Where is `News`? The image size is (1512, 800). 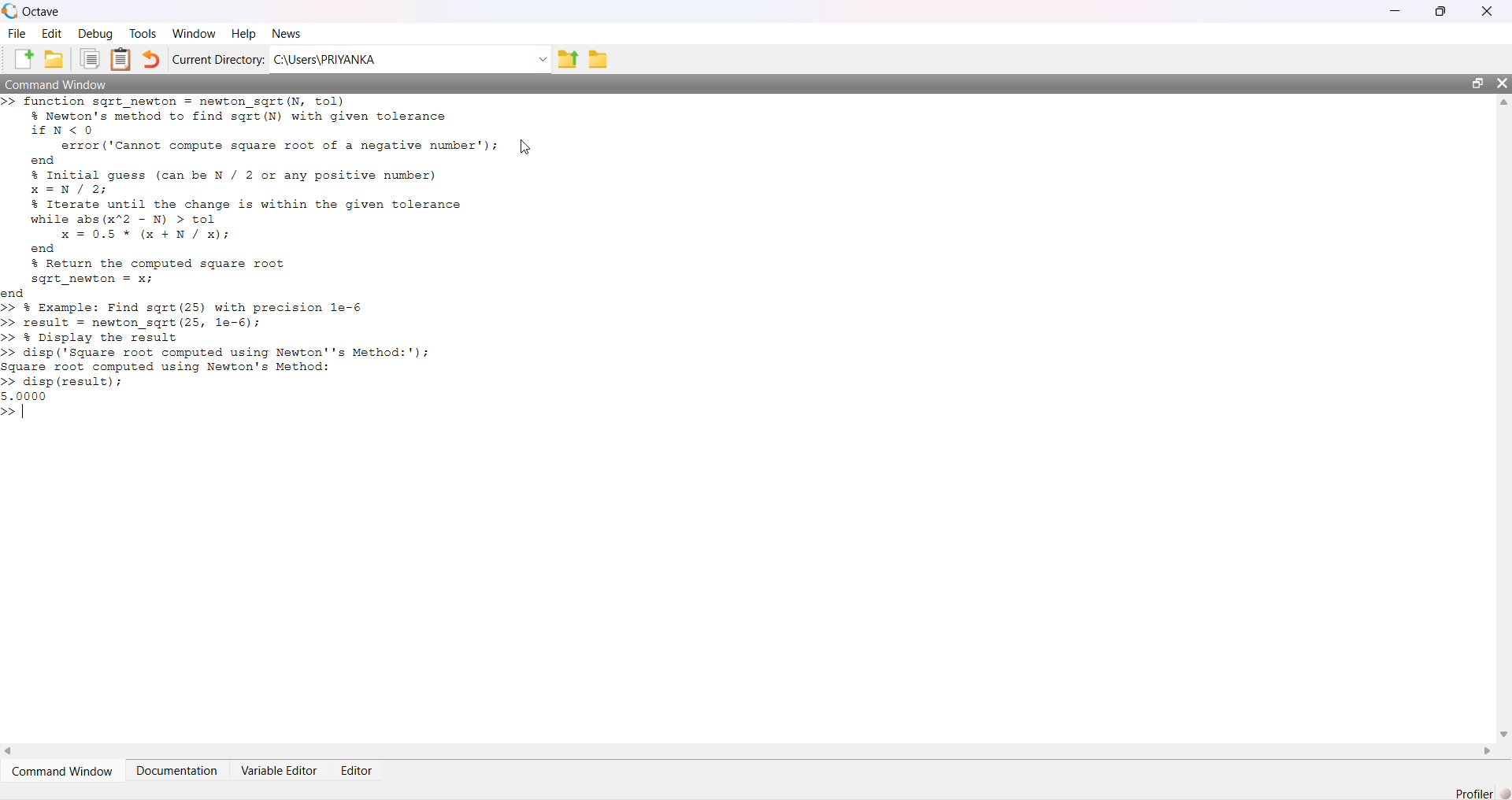 News is located at coordinates (287, 35).